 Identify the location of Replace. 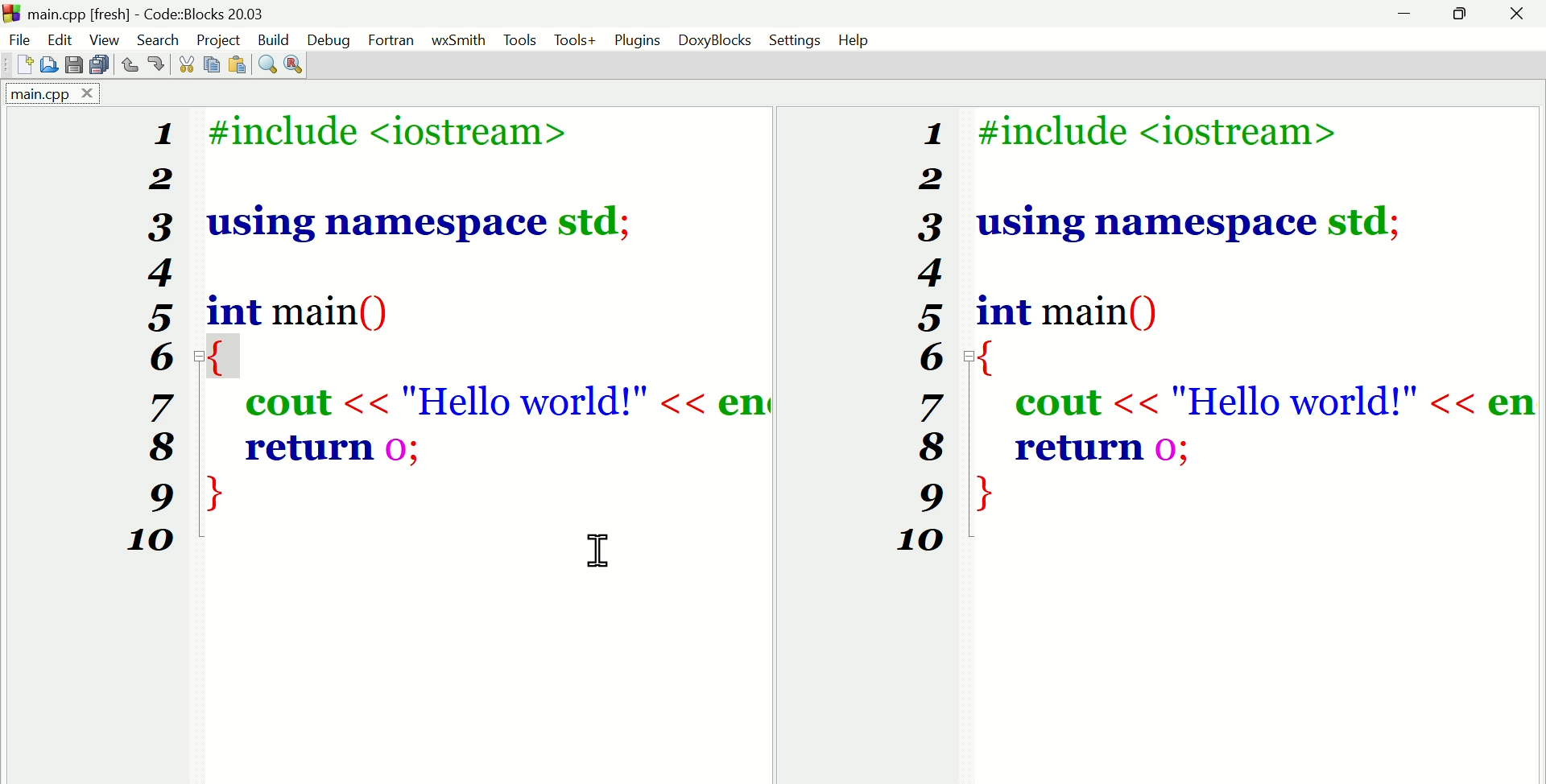
(299, 62).